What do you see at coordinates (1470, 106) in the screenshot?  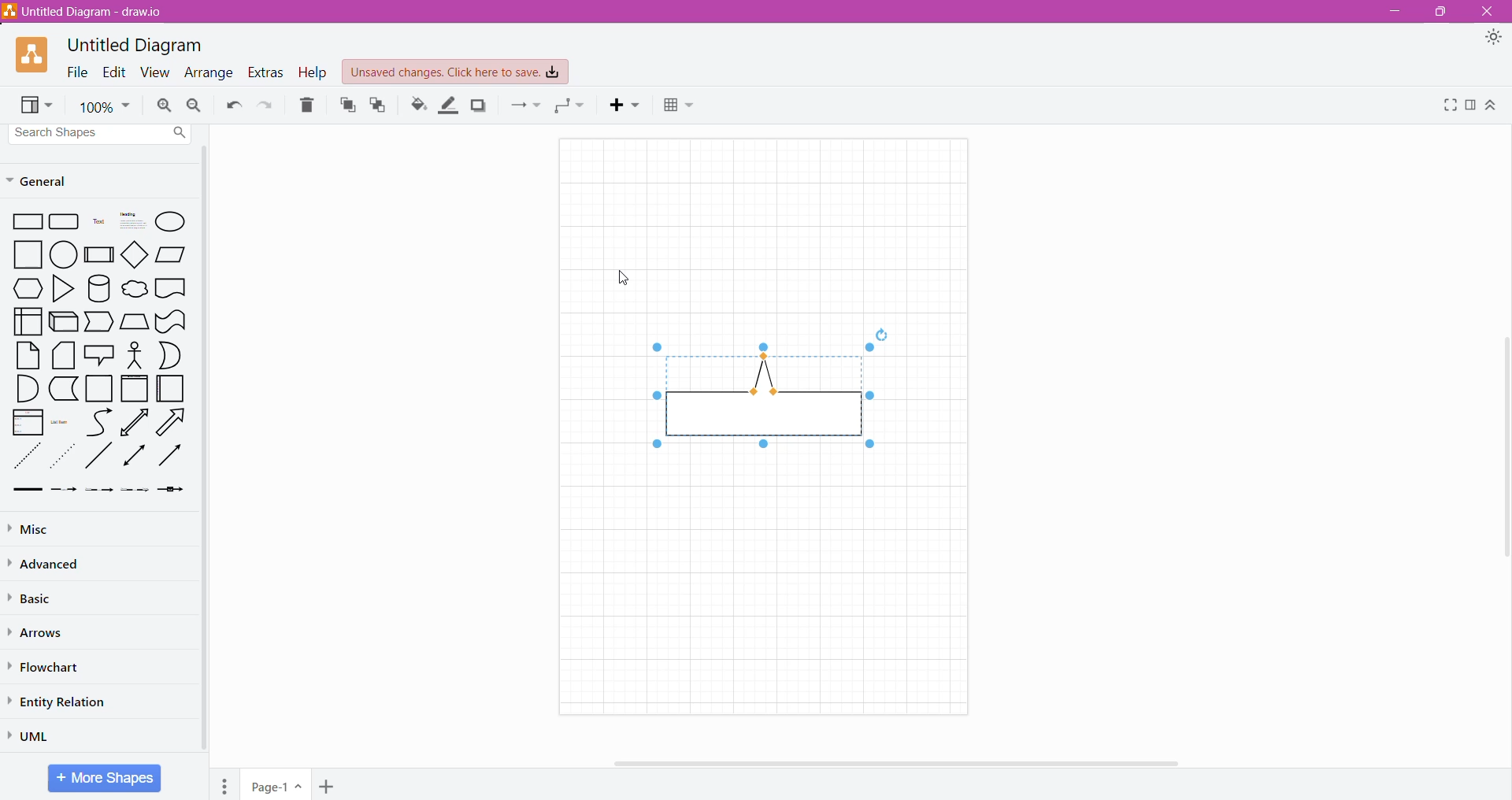 I see `Format` at bounding box center [1470, 106].